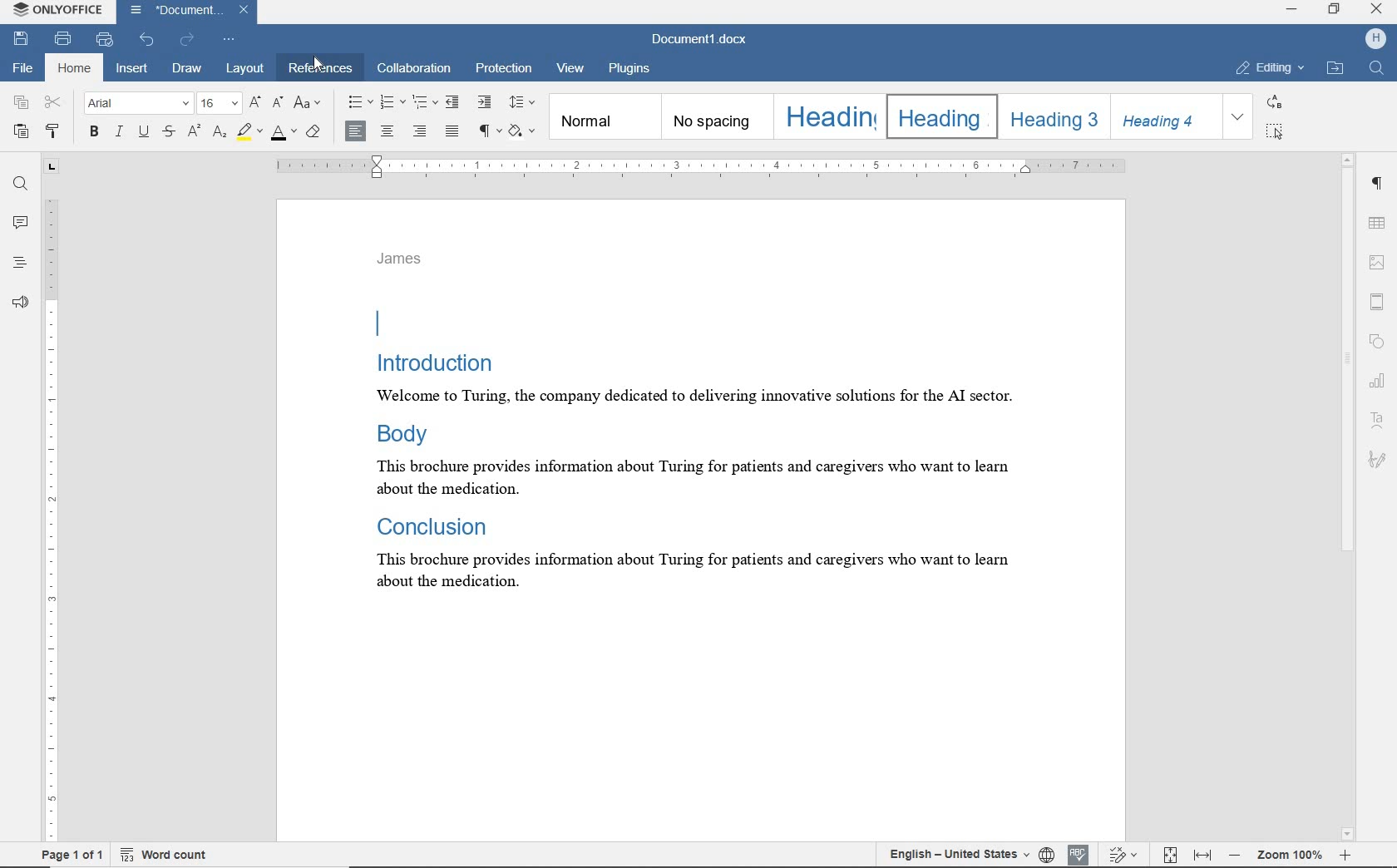  Describe the element at coordinates (168, 855) in the screenshot. I see `word count` at that location.